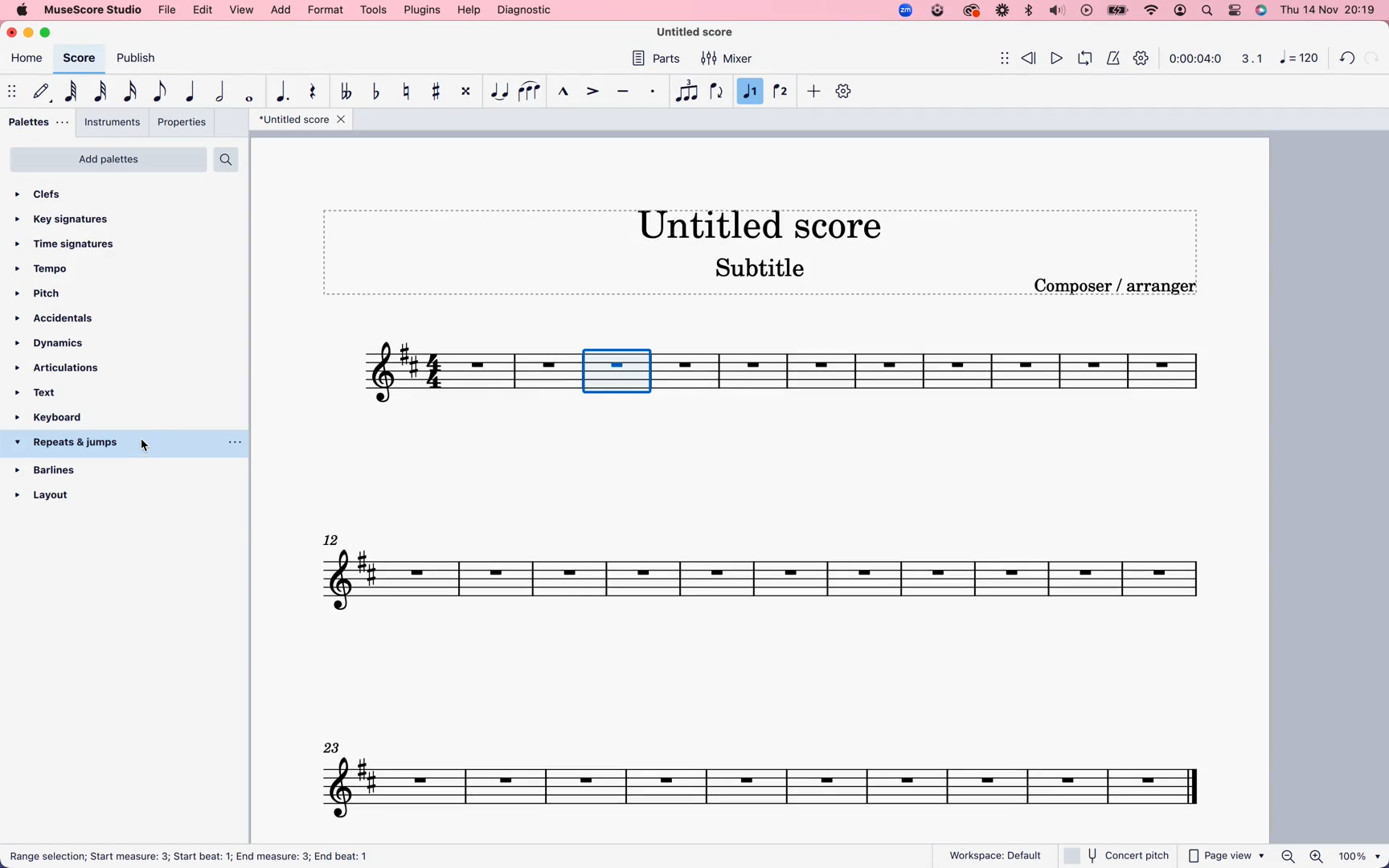 The height and width of the screenshot is (868, 1389). What do you see at coordinates (51, 269) in the screenshot?
I see `tempo` at bounding box center [51, 269].